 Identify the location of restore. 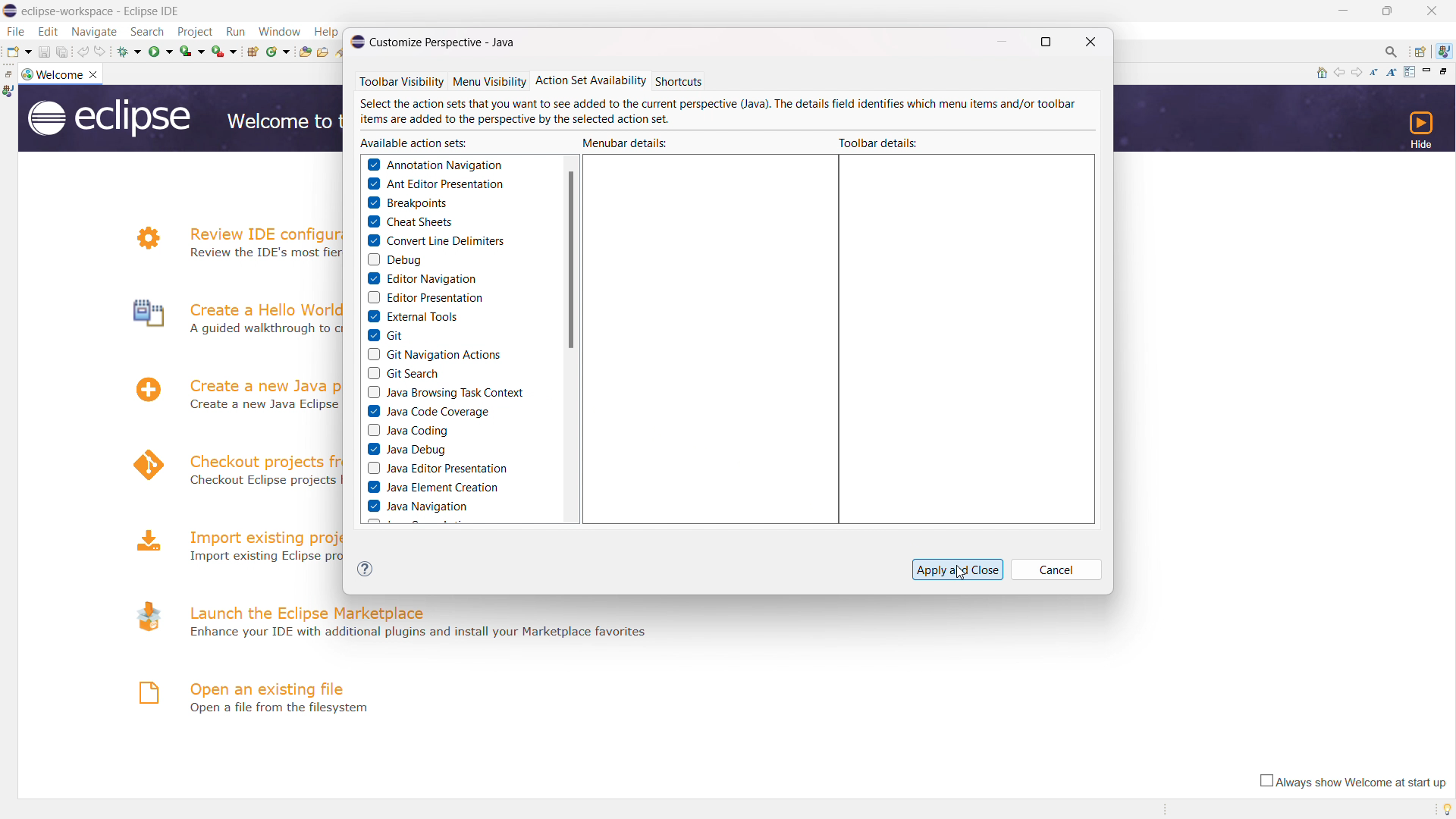
(1447, 71).